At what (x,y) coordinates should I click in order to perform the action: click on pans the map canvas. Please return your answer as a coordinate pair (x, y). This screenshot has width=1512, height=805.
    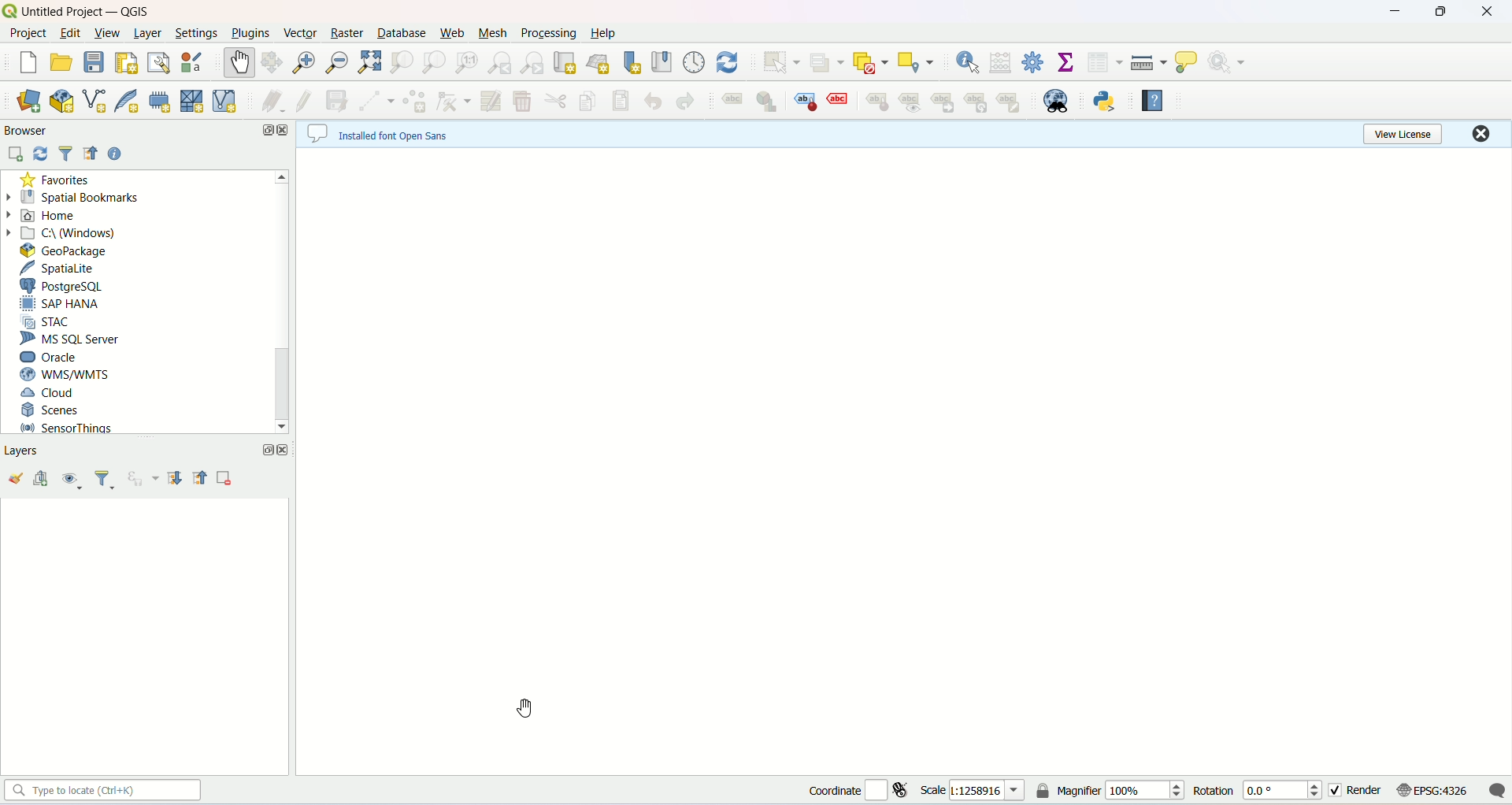
    Looking at the image, I should click on (272, 63).